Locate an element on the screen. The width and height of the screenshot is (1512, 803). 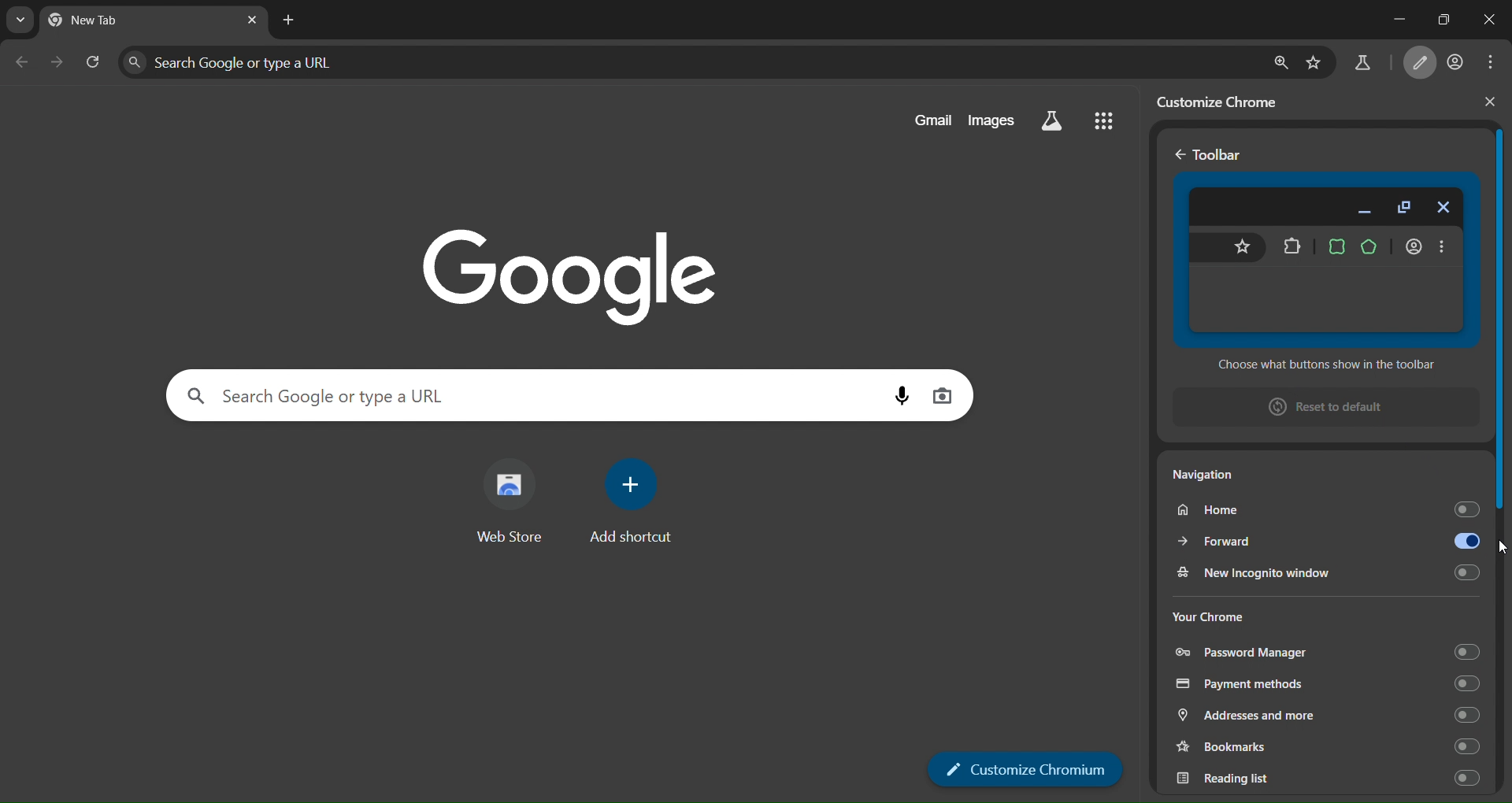
search tabs is located at coordinates (17, 20).